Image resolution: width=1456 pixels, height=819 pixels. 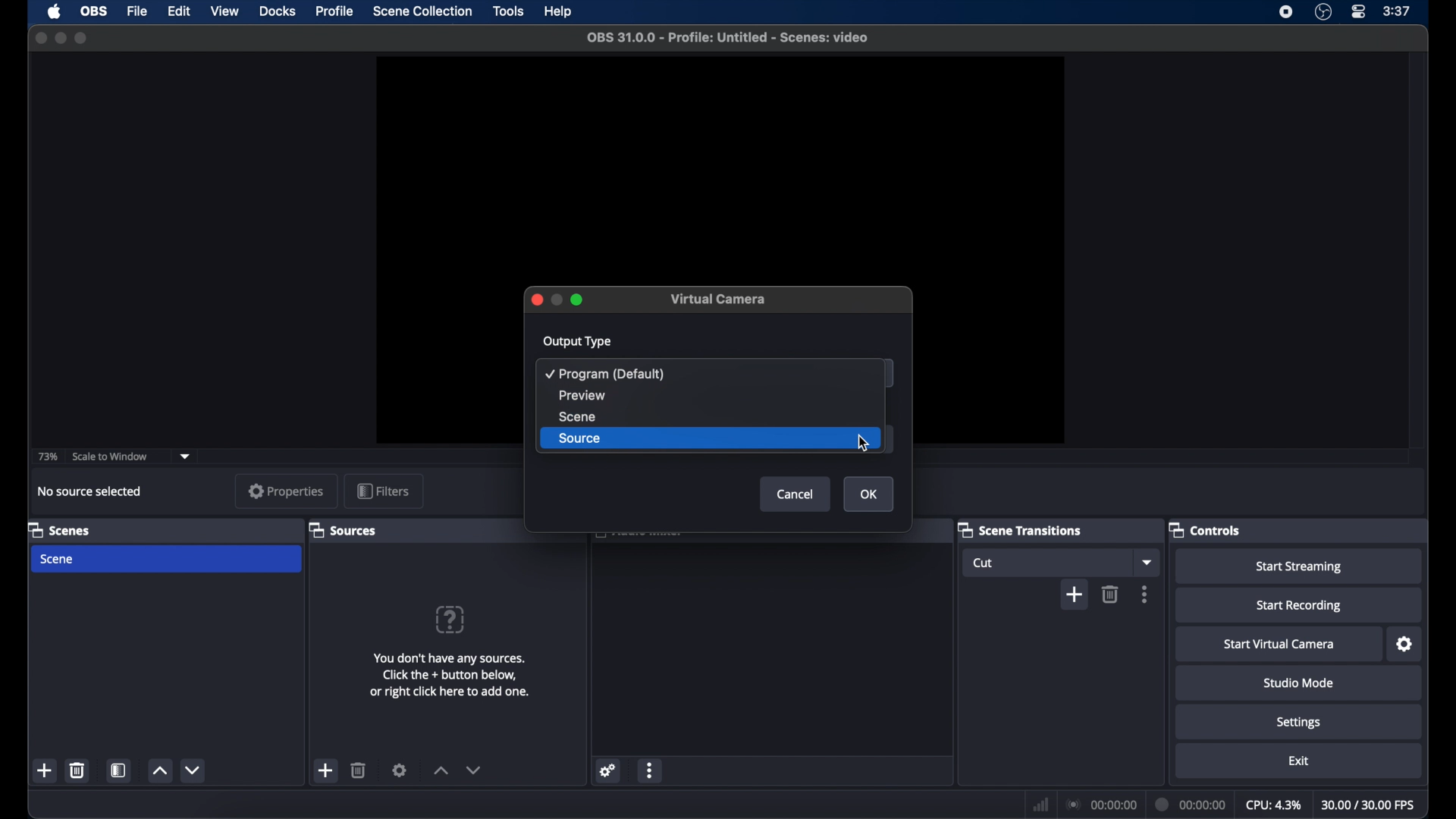 What do you see at coordinates (119, 771) in the screenshot?
I see `scene filters` at bounding box center [119, 771].